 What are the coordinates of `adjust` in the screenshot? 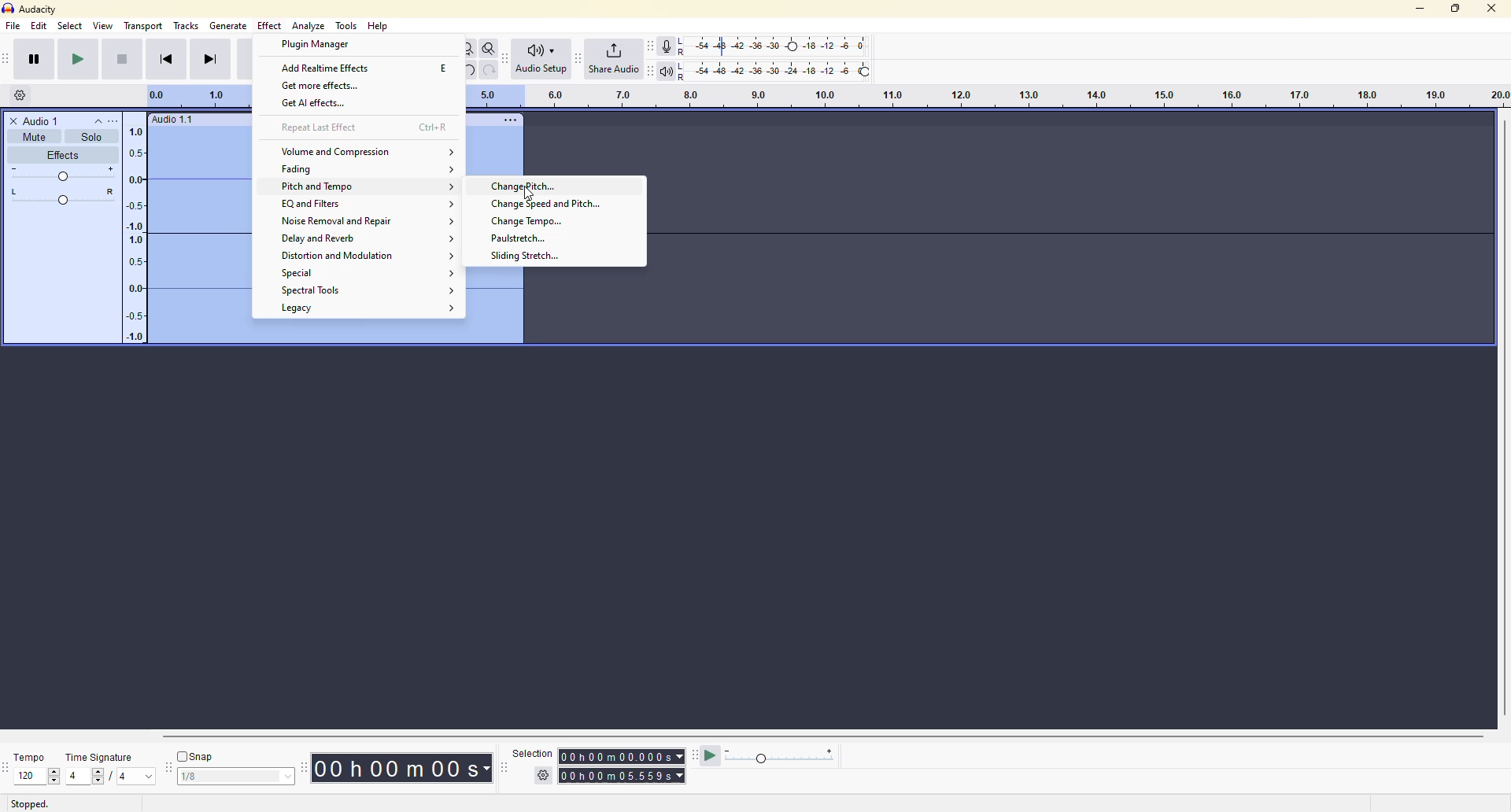 It's located at (64, 174).